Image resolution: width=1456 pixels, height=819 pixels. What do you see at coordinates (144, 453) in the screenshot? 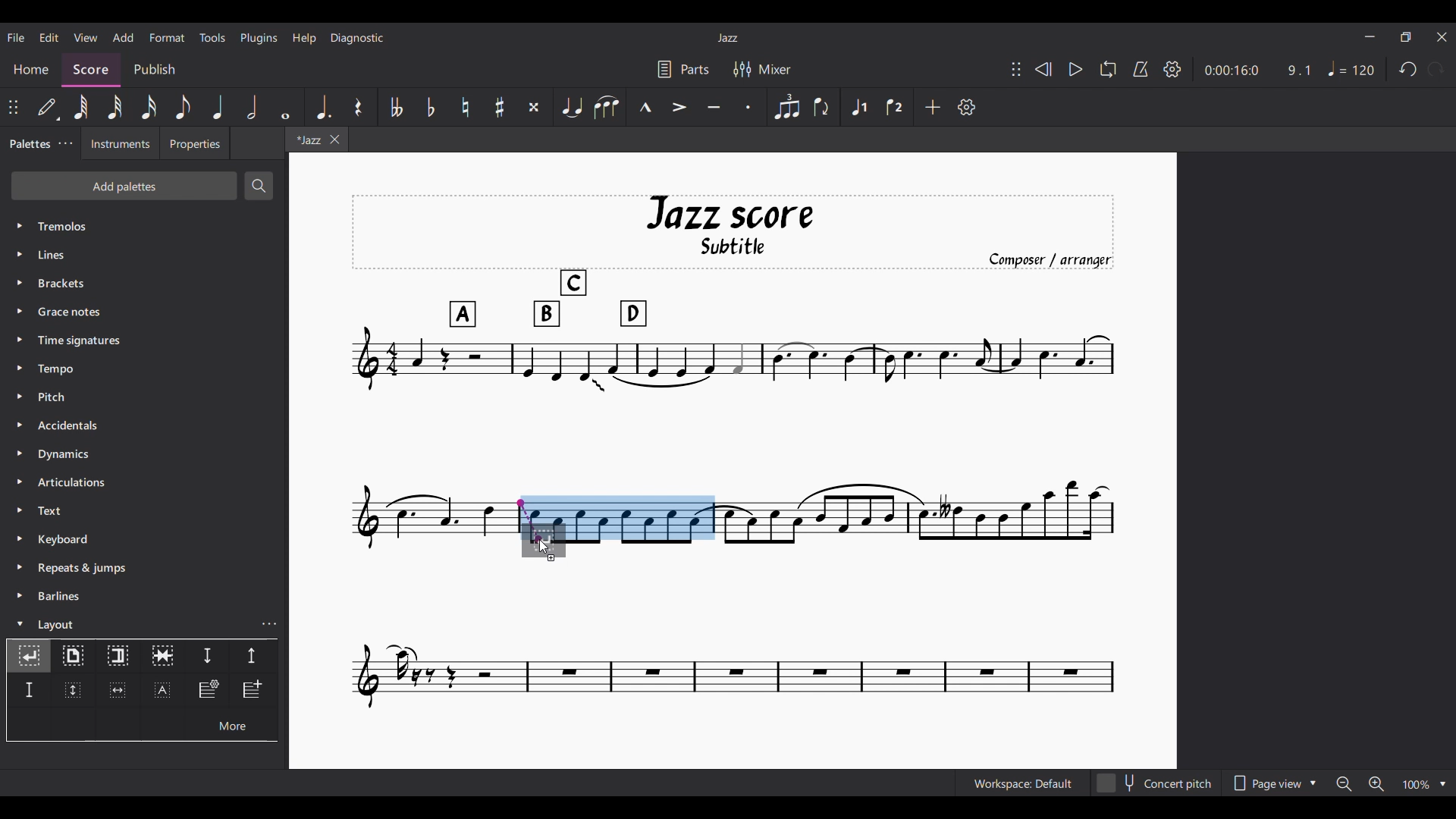
I see `Dynamics` at bounding box center [144, 453].